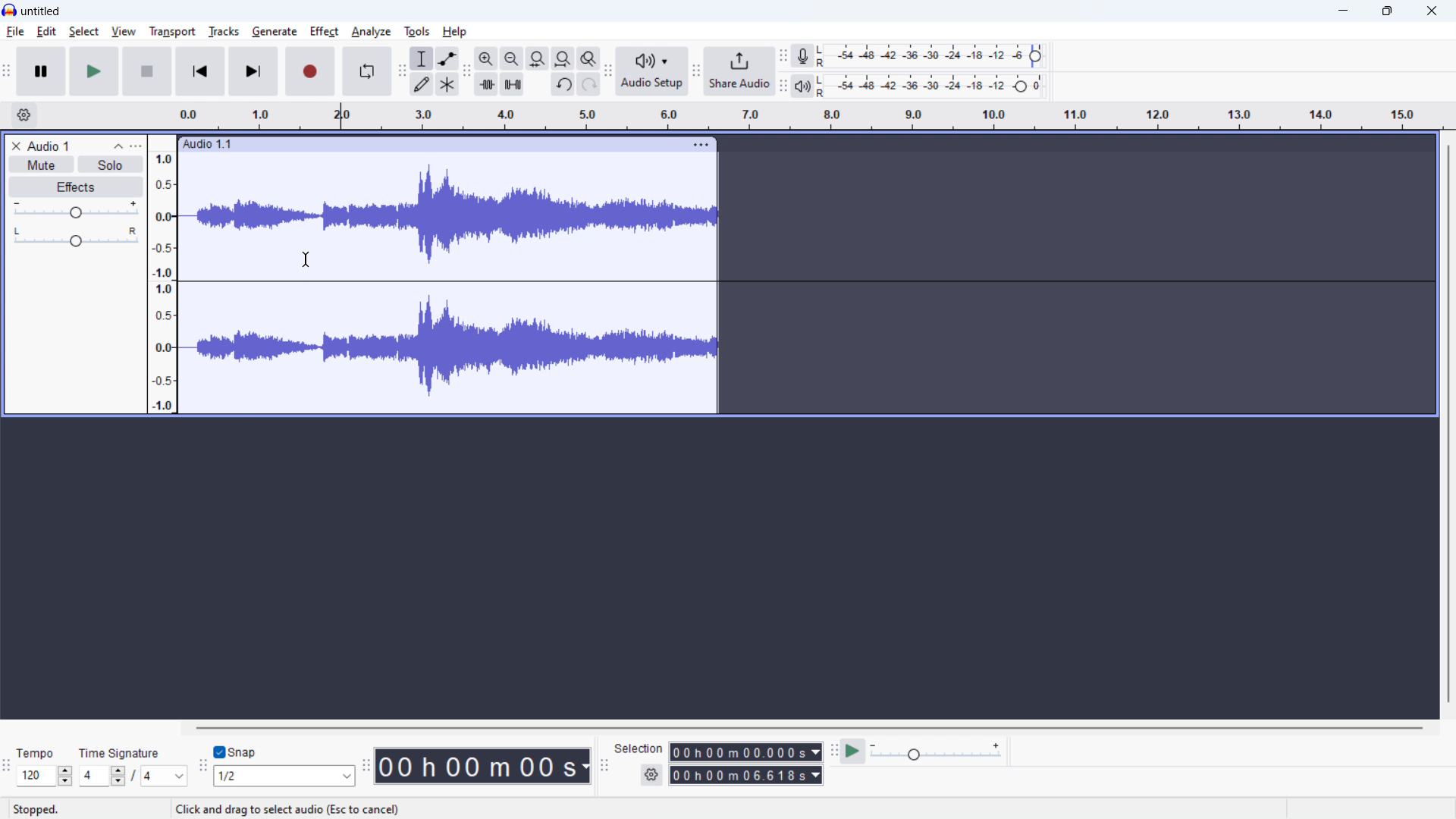 Image resolution: width=1456 pixels, height=819 pixels. I want to click on collapse, so click(118, 146).